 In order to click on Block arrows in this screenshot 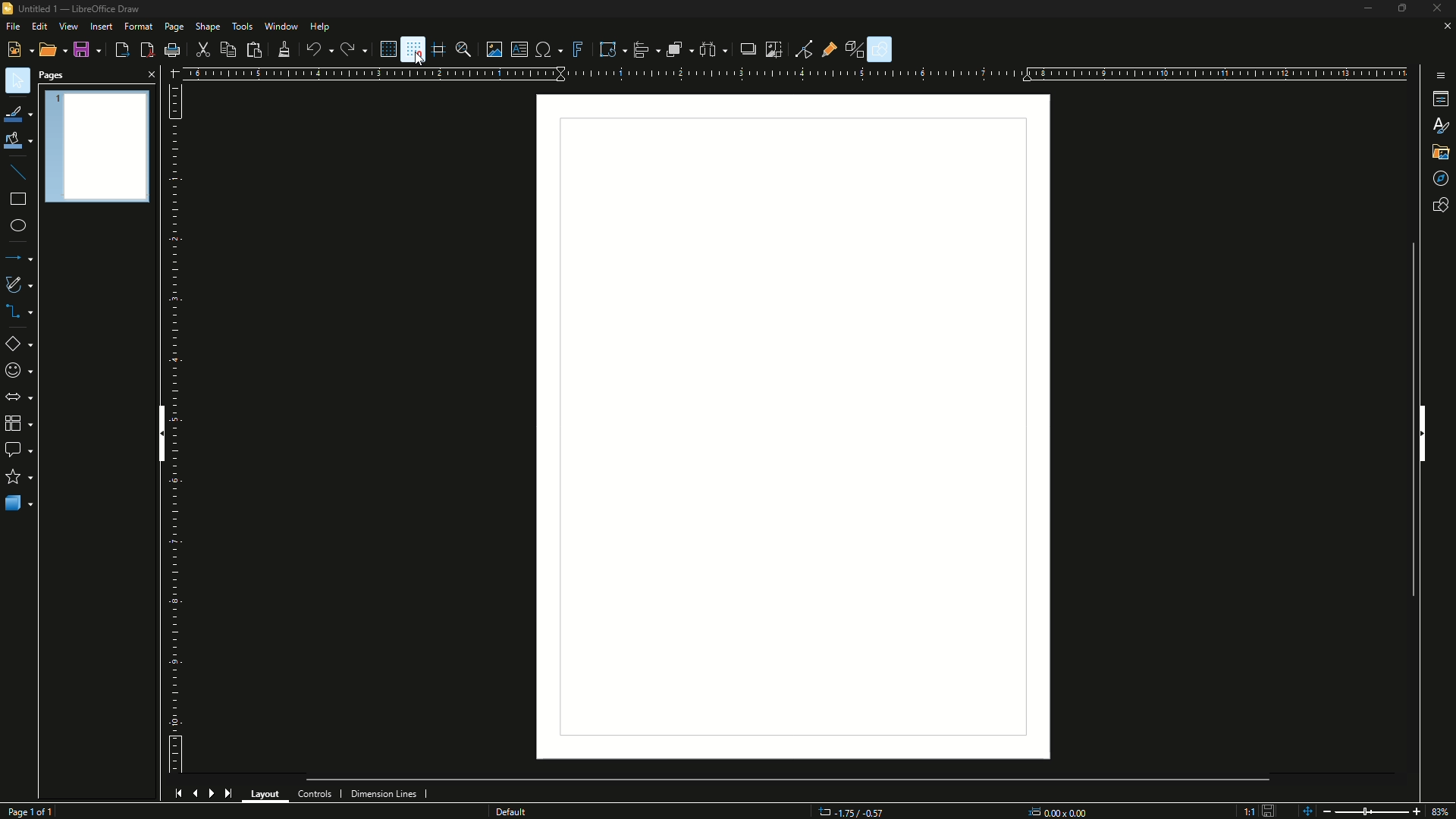, I will do `click(25, 397)`.